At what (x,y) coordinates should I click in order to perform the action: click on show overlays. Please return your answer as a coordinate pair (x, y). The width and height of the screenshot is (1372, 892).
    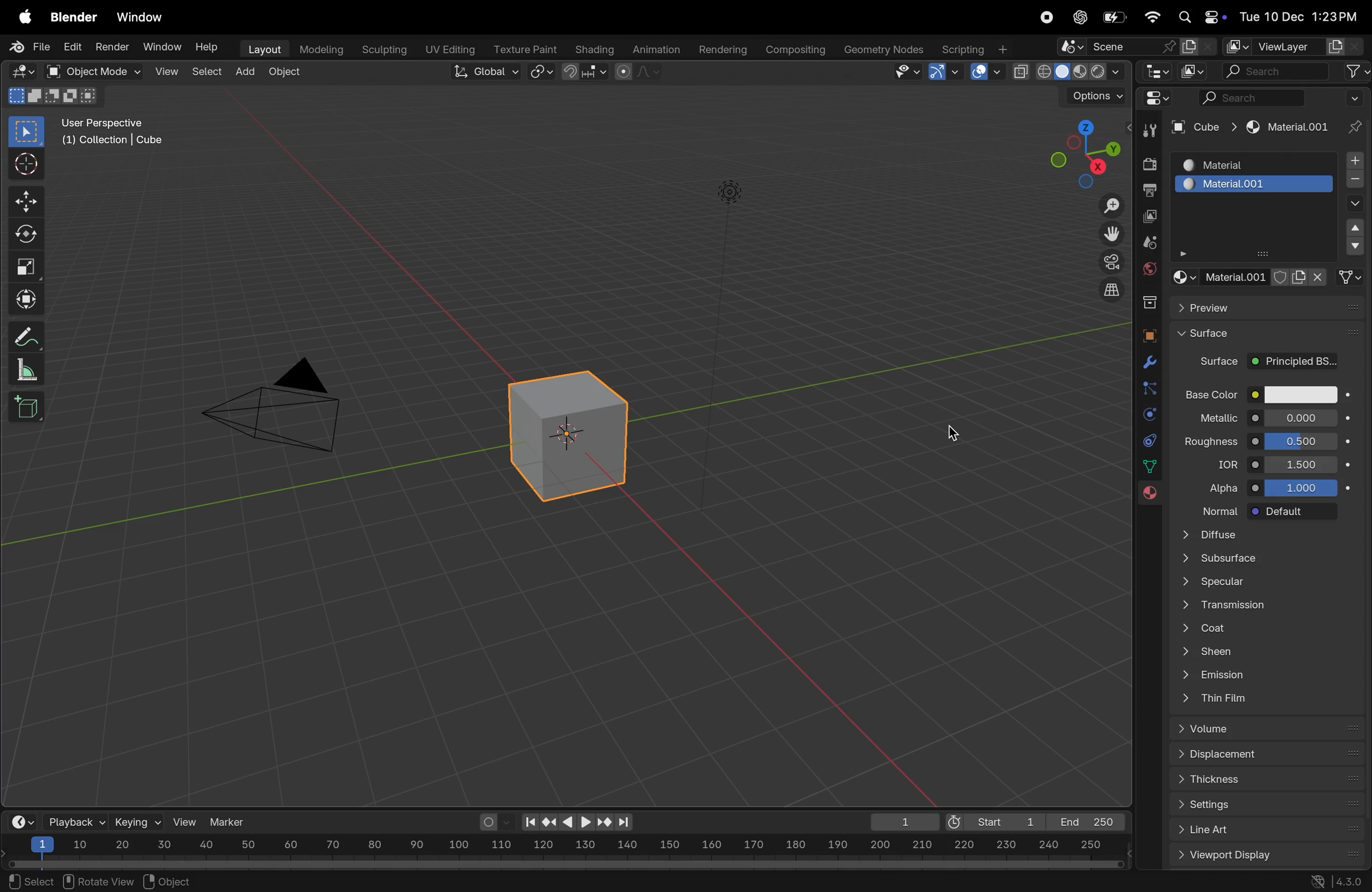
    Looking at the image, I should click on (985, 72).